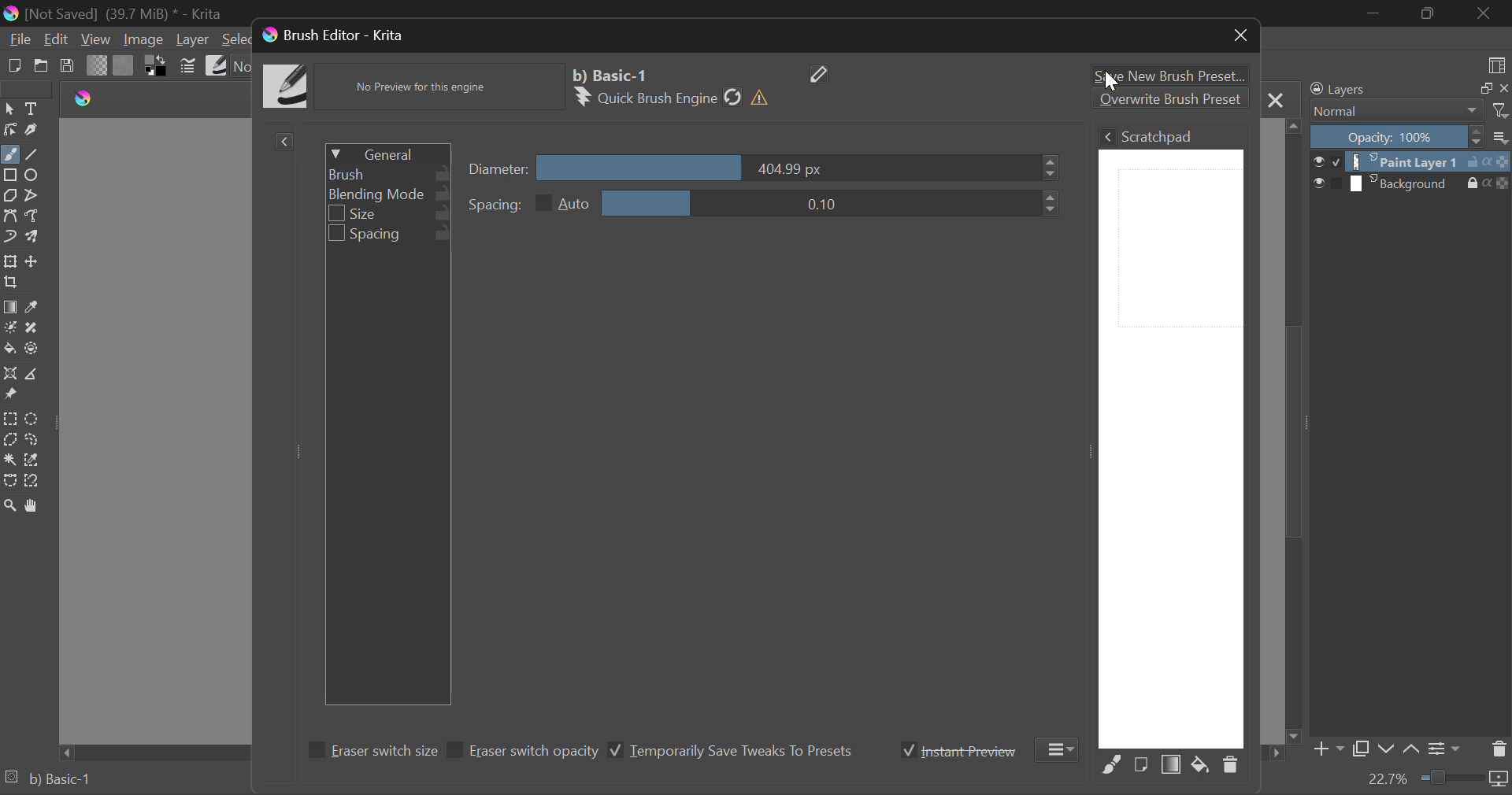 The height and width of the screenshot is (795, 1512). I want to click on Size, so click(391, 215).